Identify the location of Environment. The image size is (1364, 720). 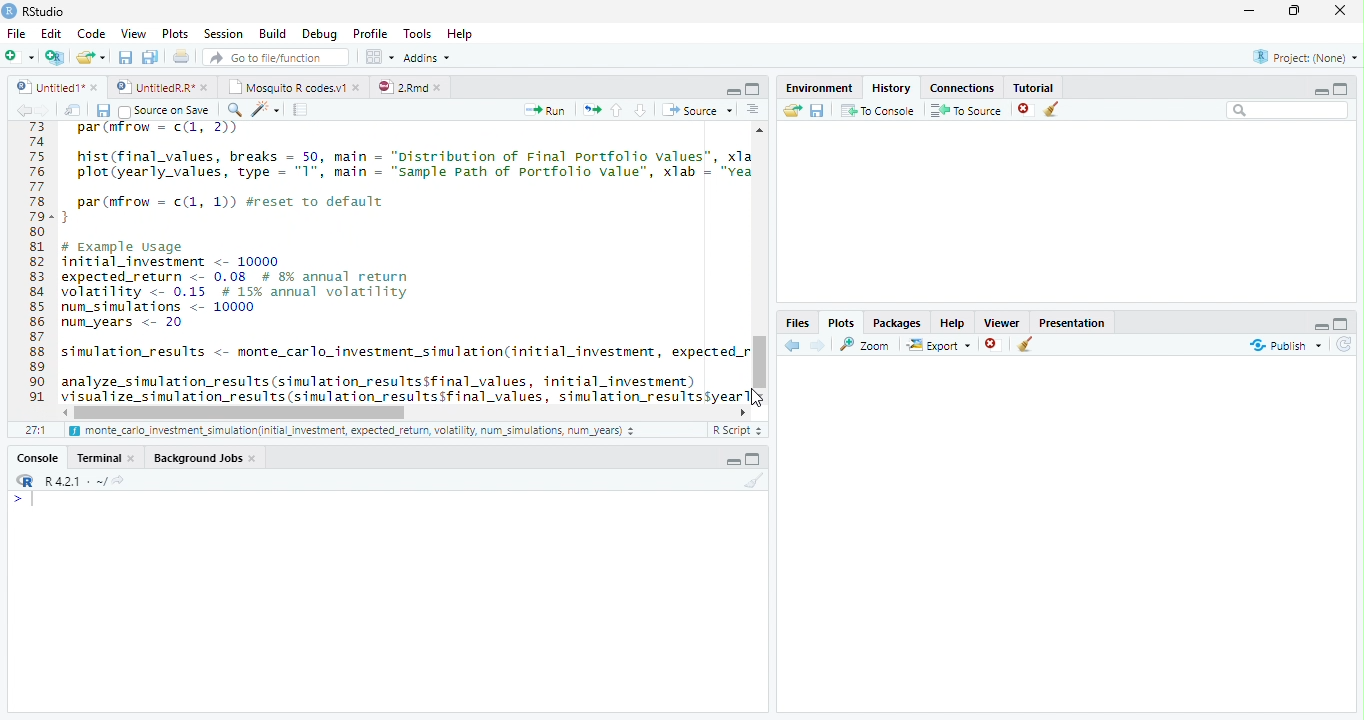
(819, 85).